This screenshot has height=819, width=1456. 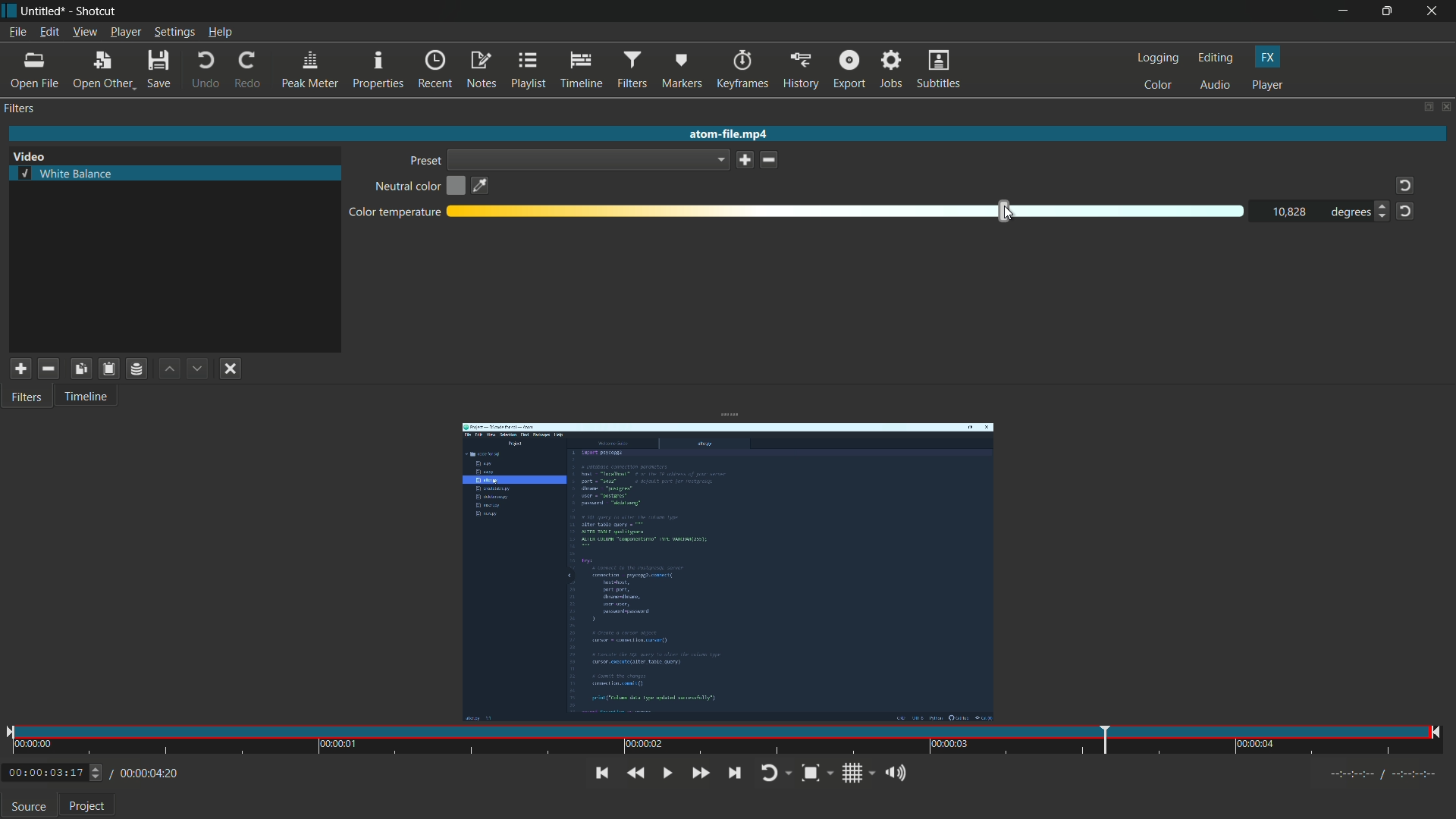 What do you see at coordinates (169, 369) in the screenshot?
I see `move filter up` at bounding box center [169, 369].